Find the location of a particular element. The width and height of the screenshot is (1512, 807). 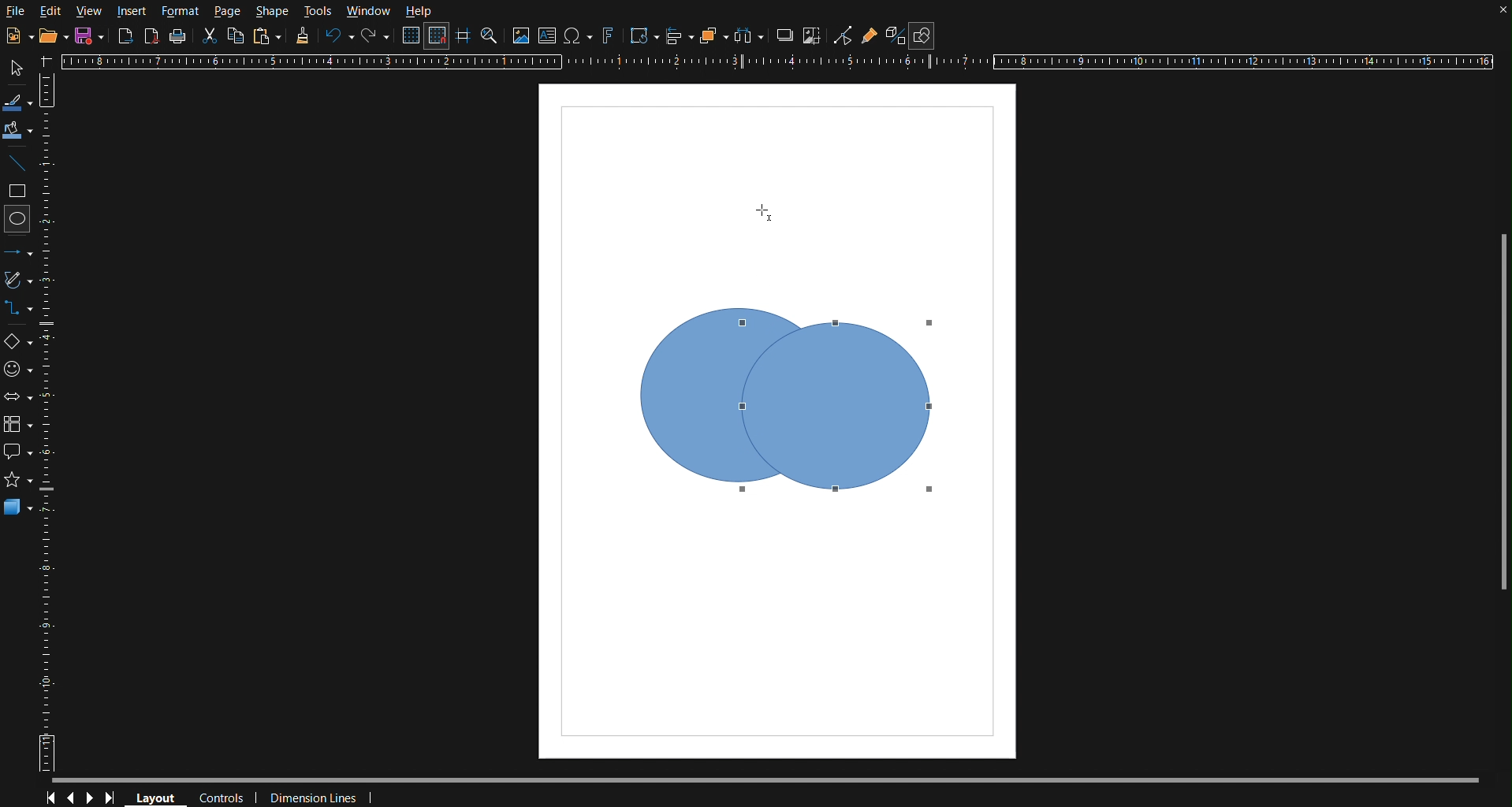

Open is located at coordinates (49, 35).